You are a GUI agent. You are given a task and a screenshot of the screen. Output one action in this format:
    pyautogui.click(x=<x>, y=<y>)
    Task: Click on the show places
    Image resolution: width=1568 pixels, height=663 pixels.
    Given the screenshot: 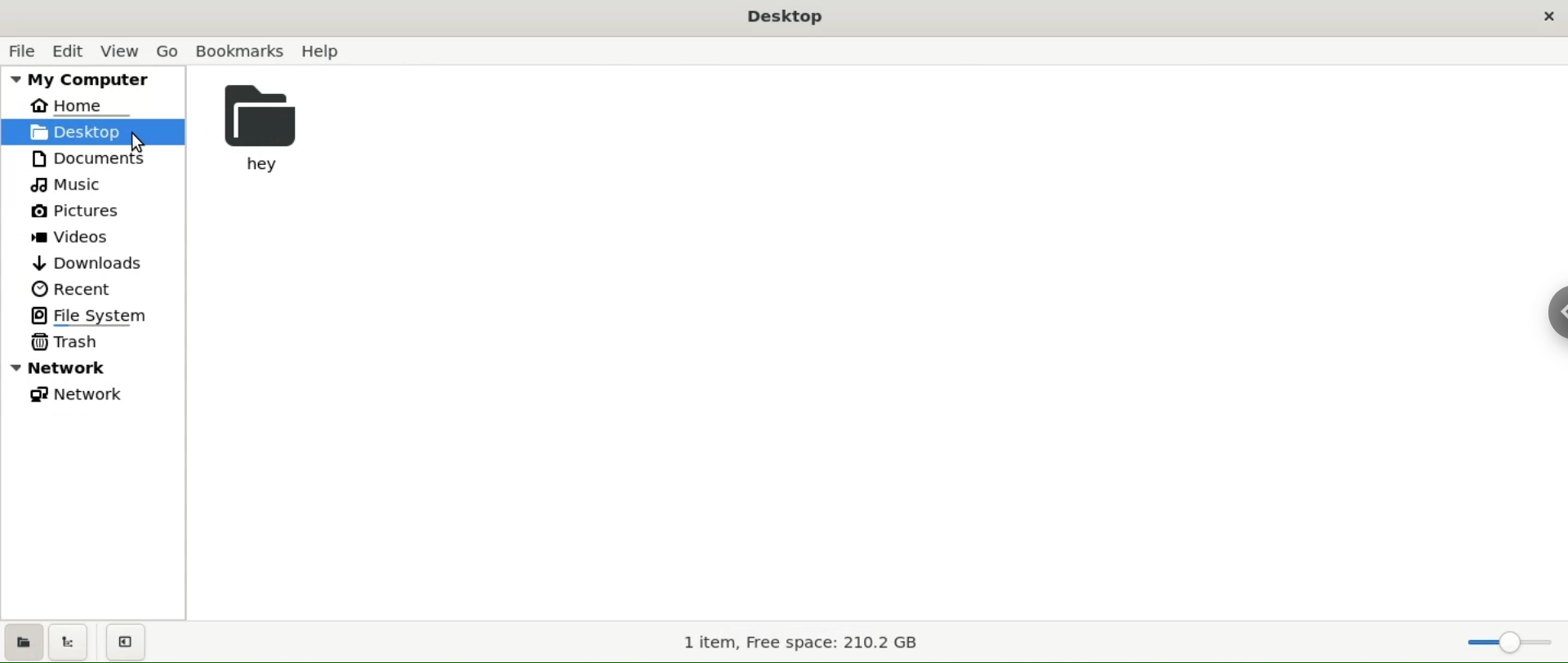 What is the action you would take?
    pyautogui.click(x=25, y=641)
    